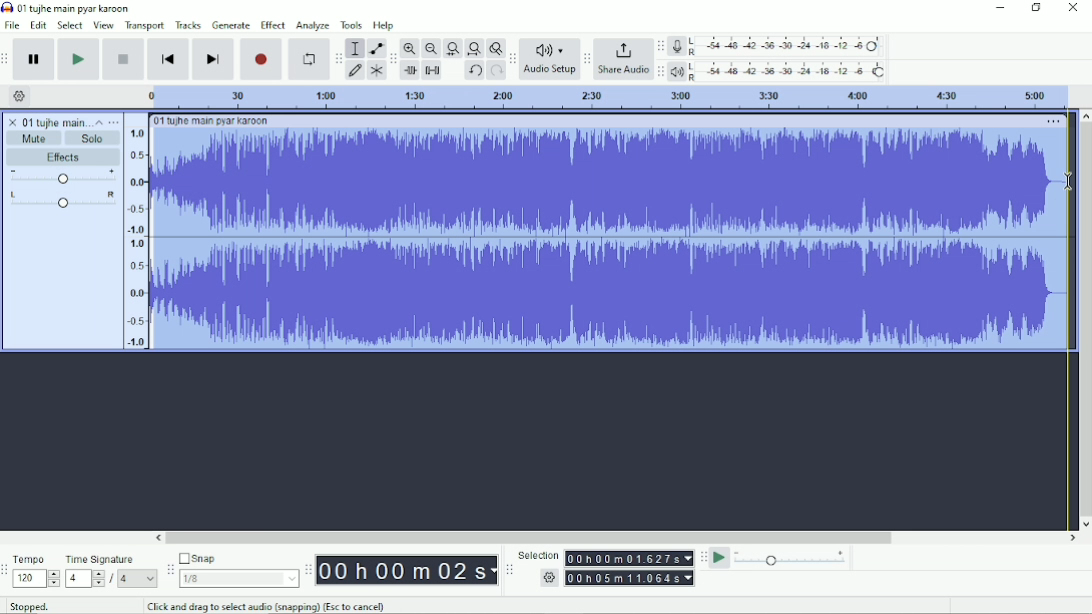 The width and height of the screenshot is (1092, 614). Describe the element at coordinates (104, 25) in the screenshot. I see `View` at that location.